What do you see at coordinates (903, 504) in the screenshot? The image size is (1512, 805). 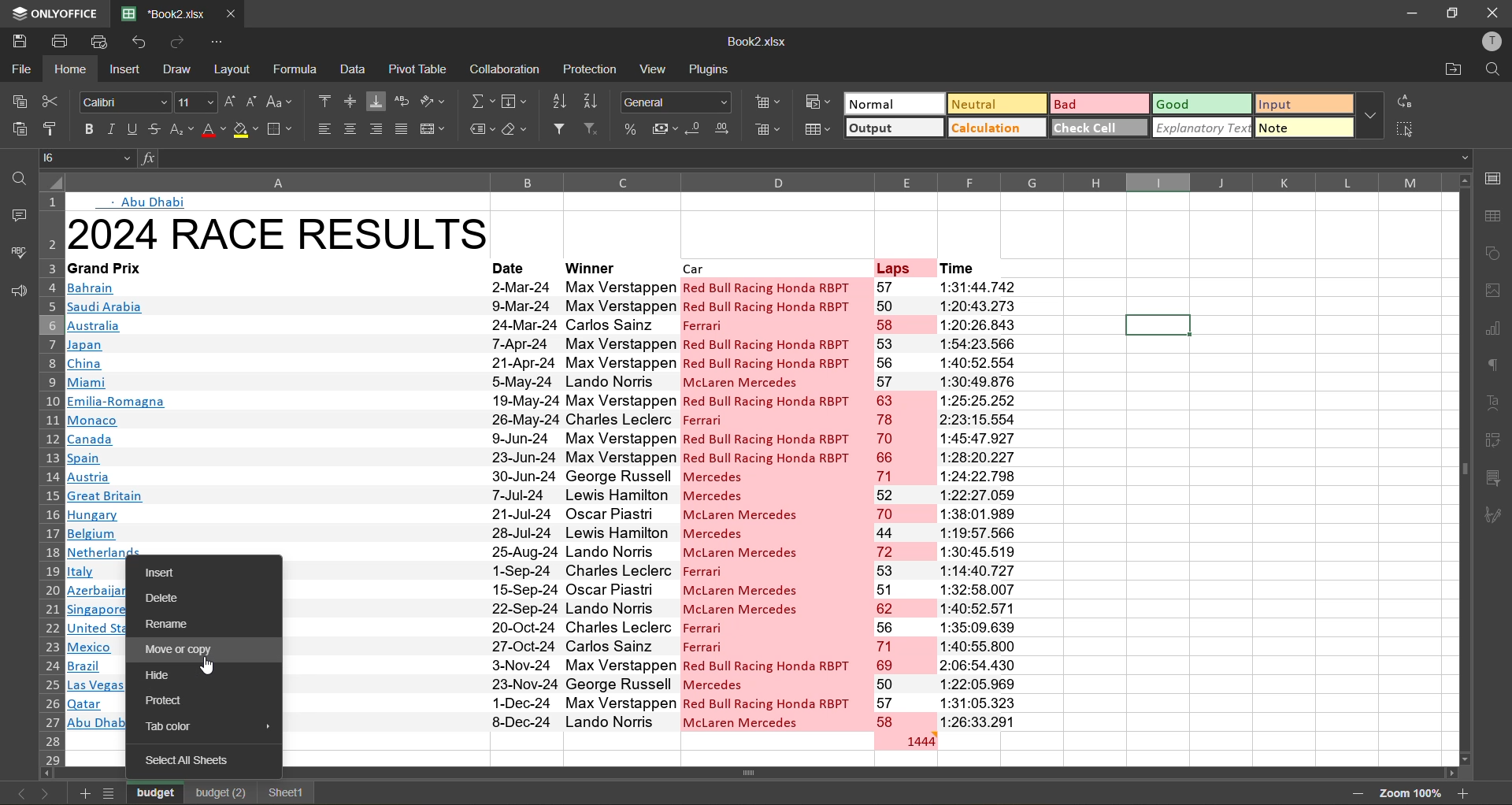 I see `laps` at bounding box center [903, 504].